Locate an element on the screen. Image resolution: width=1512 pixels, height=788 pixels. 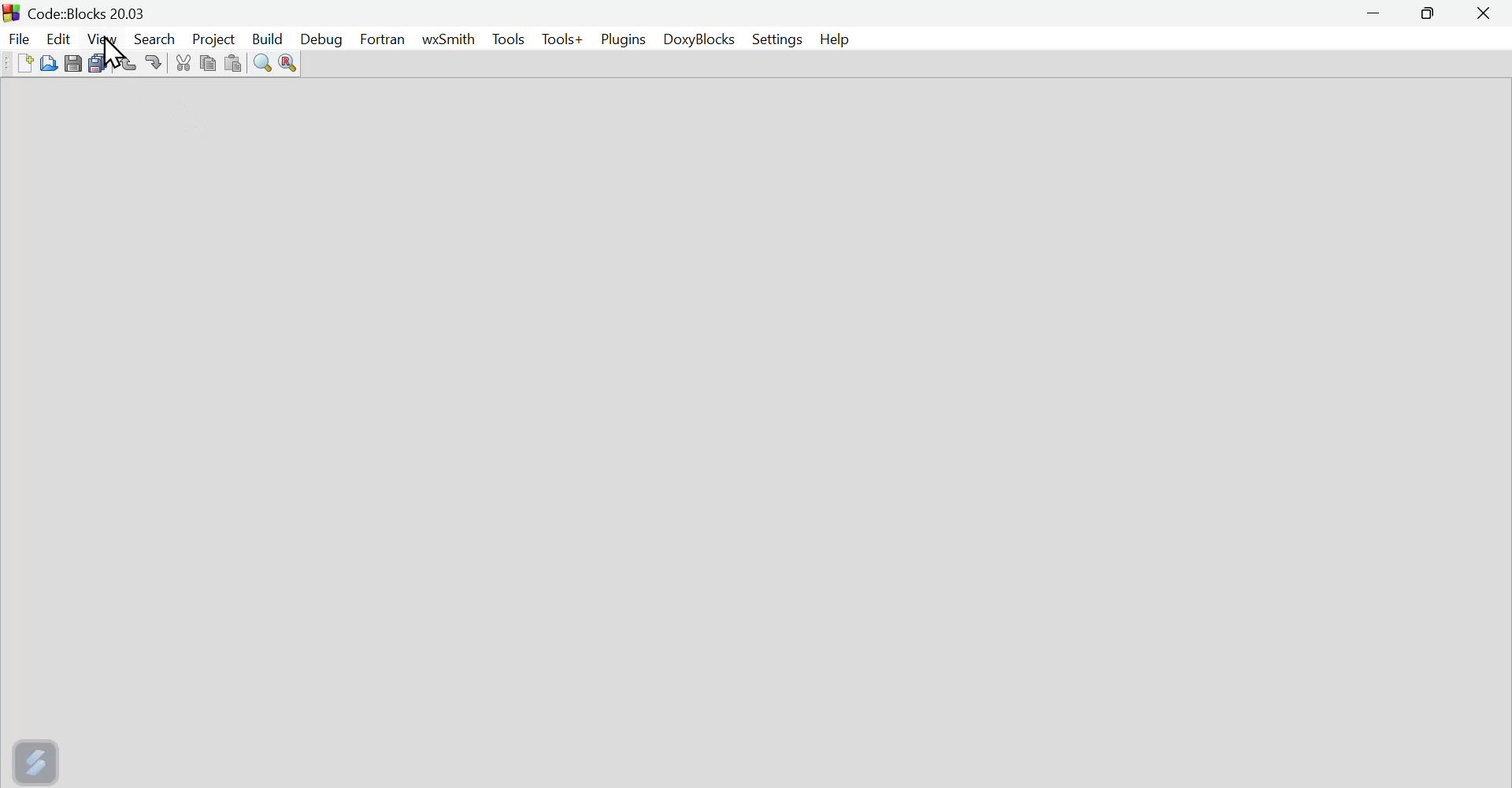
Redo is located at coordinates (159, 61).